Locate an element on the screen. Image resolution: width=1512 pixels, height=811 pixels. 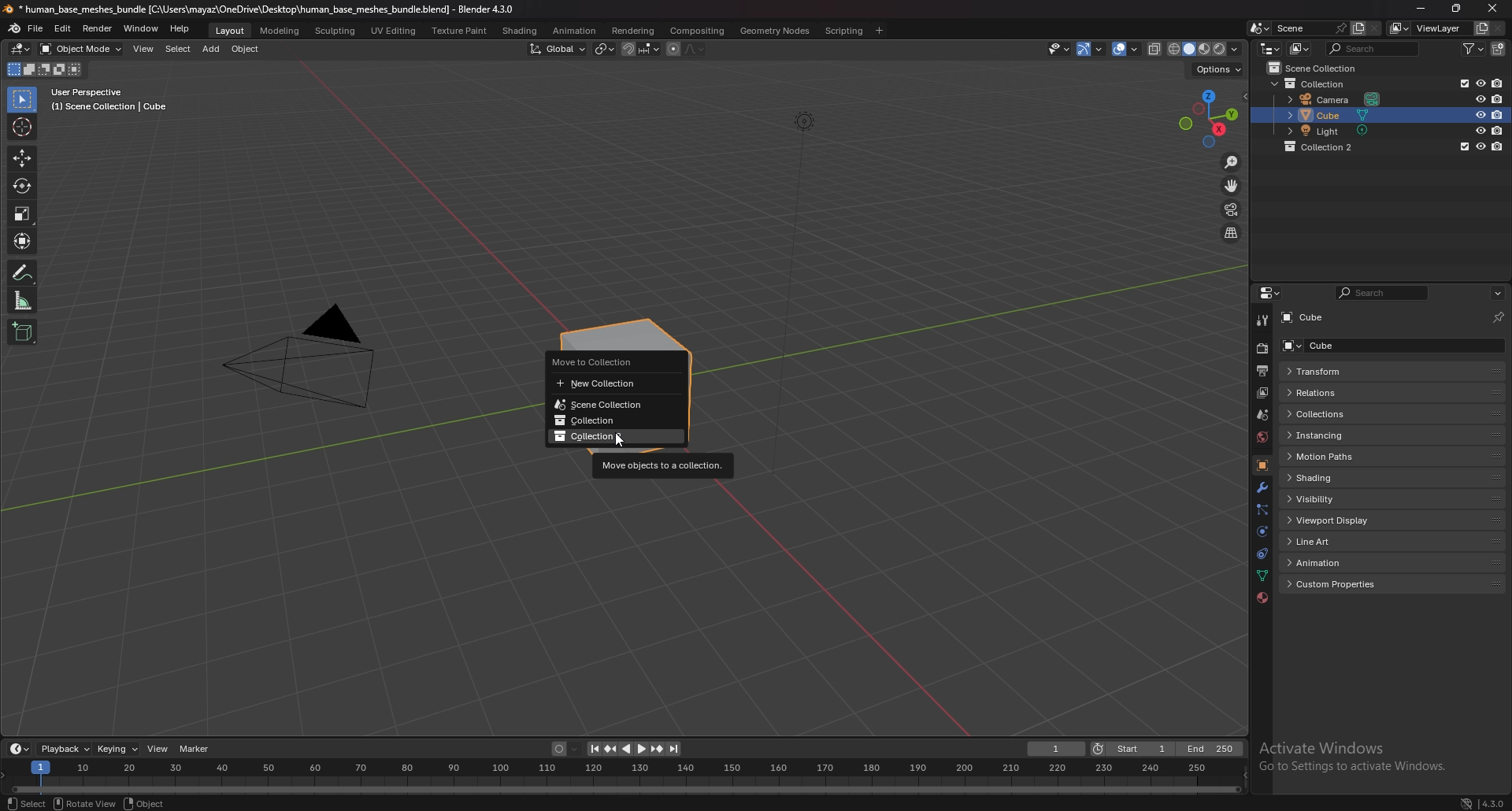
annotation is located at coordinates (24, 272).